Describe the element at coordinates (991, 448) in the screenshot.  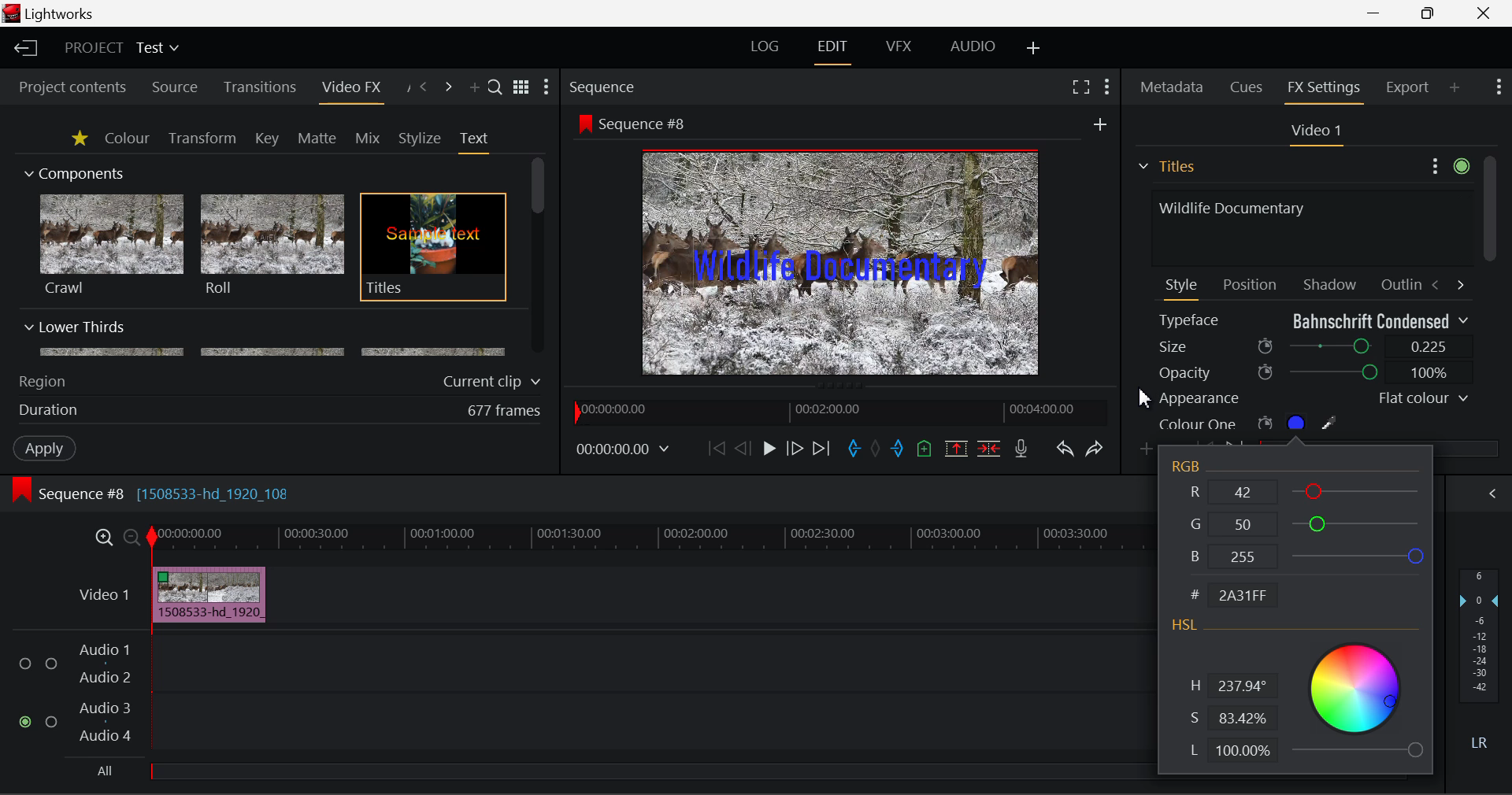
I see `Delete/Cut` at that location.